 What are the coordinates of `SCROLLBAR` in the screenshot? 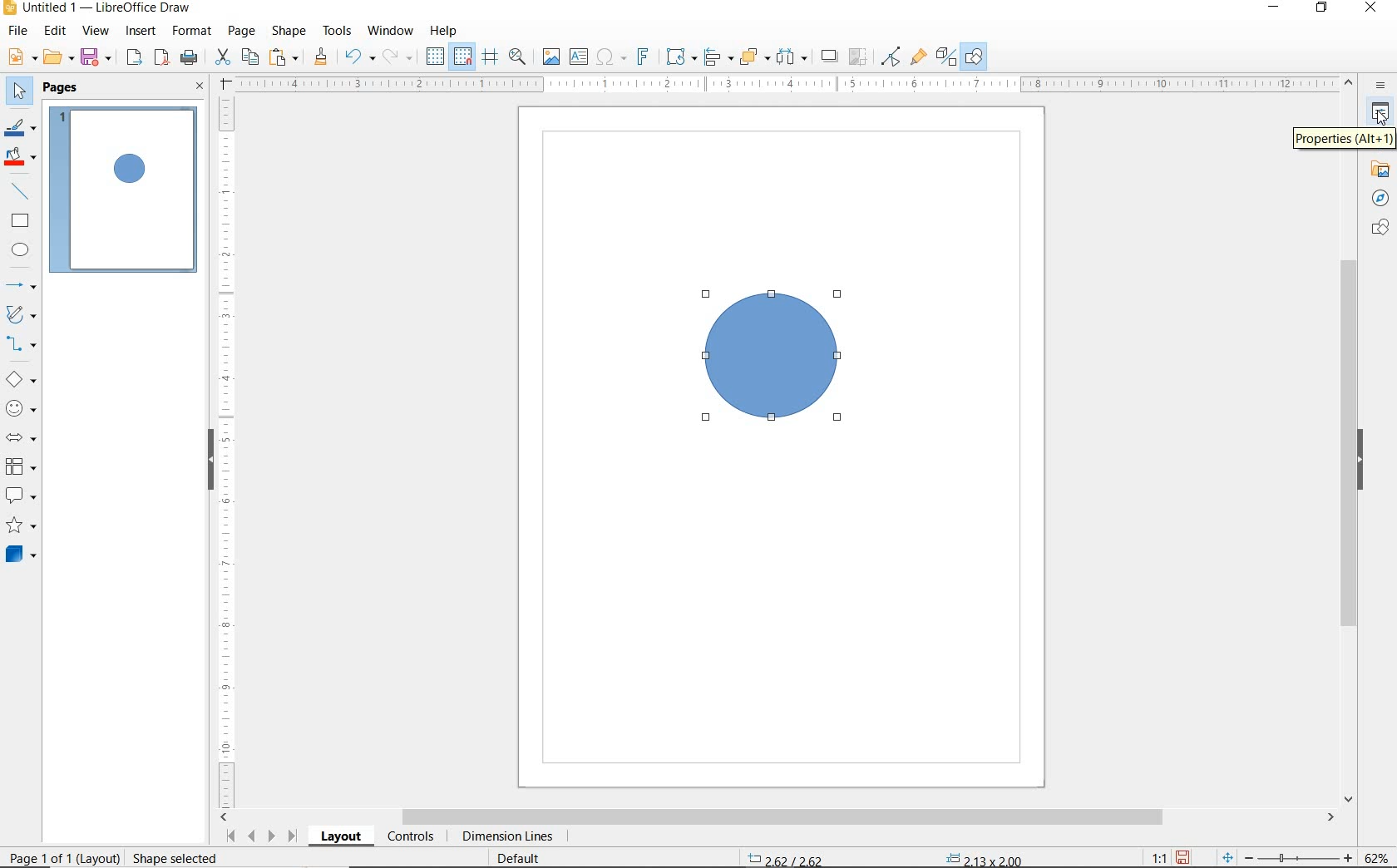 It's located at (1346, 451).